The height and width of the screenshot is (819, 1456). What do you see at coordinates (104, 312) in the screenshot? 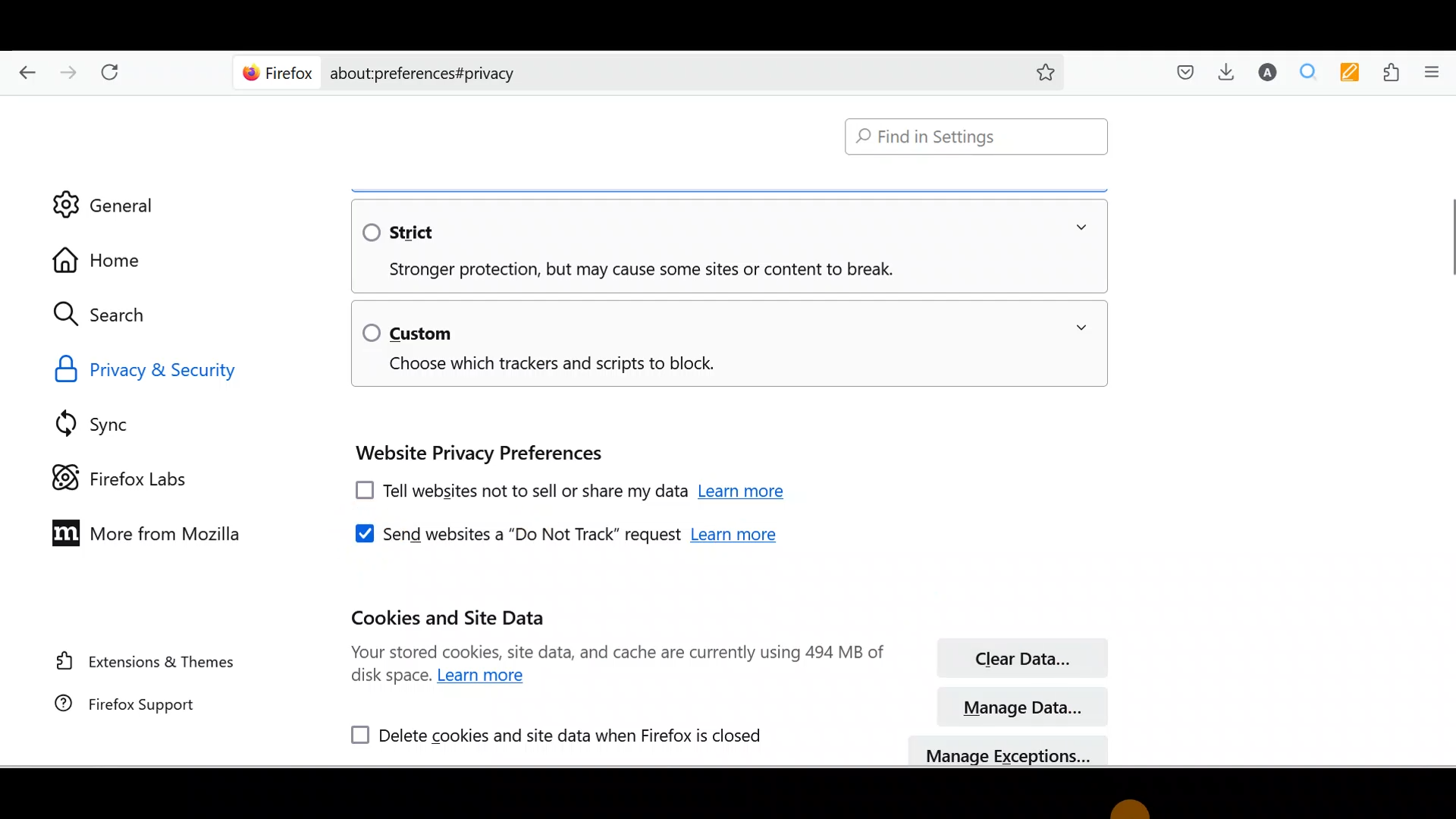
I see `Search` at bounding box center [104, 312].